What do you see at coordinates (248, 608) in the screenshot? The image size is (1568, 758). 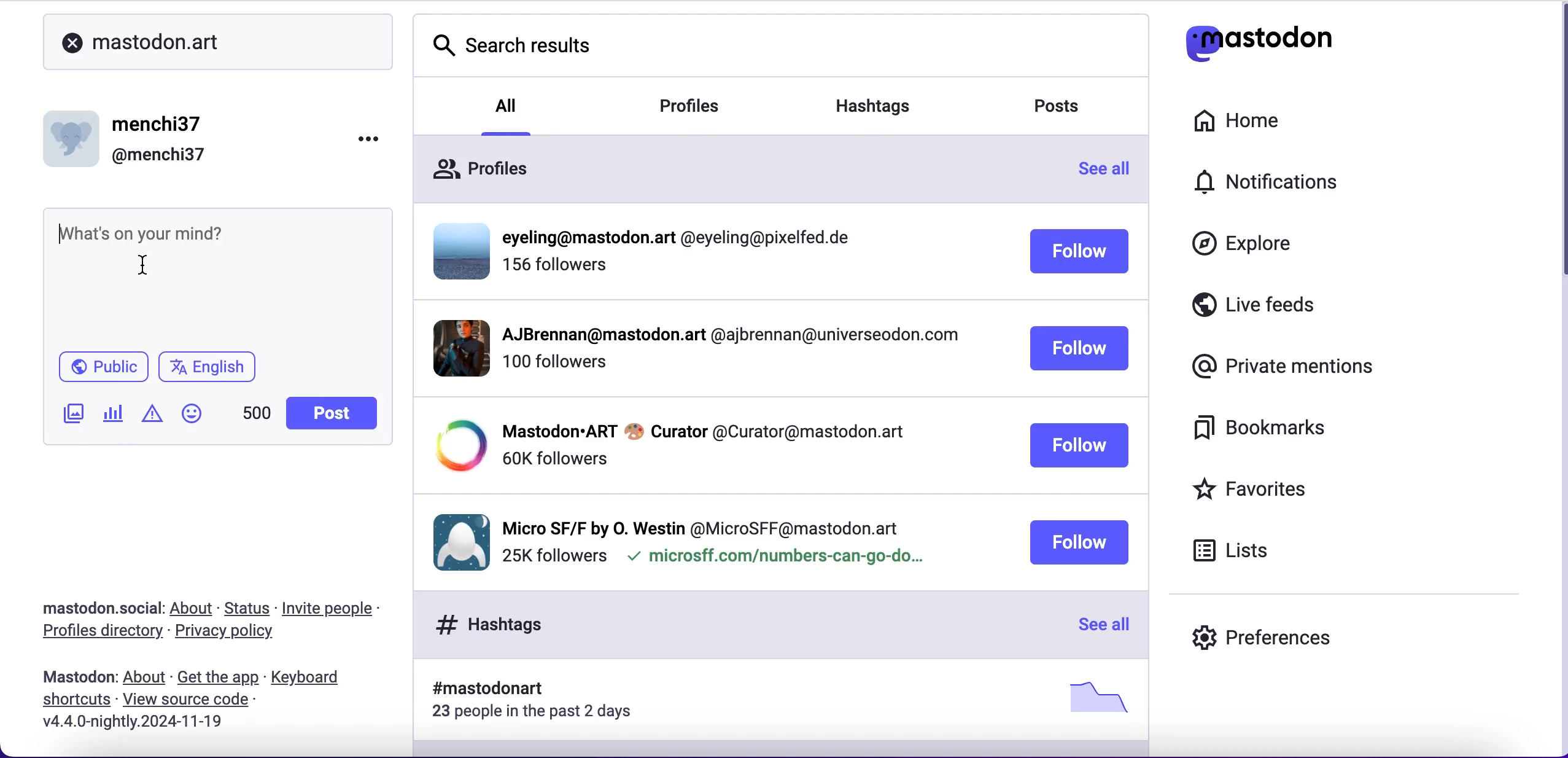 I see `status` at bounding box center [248, 608].